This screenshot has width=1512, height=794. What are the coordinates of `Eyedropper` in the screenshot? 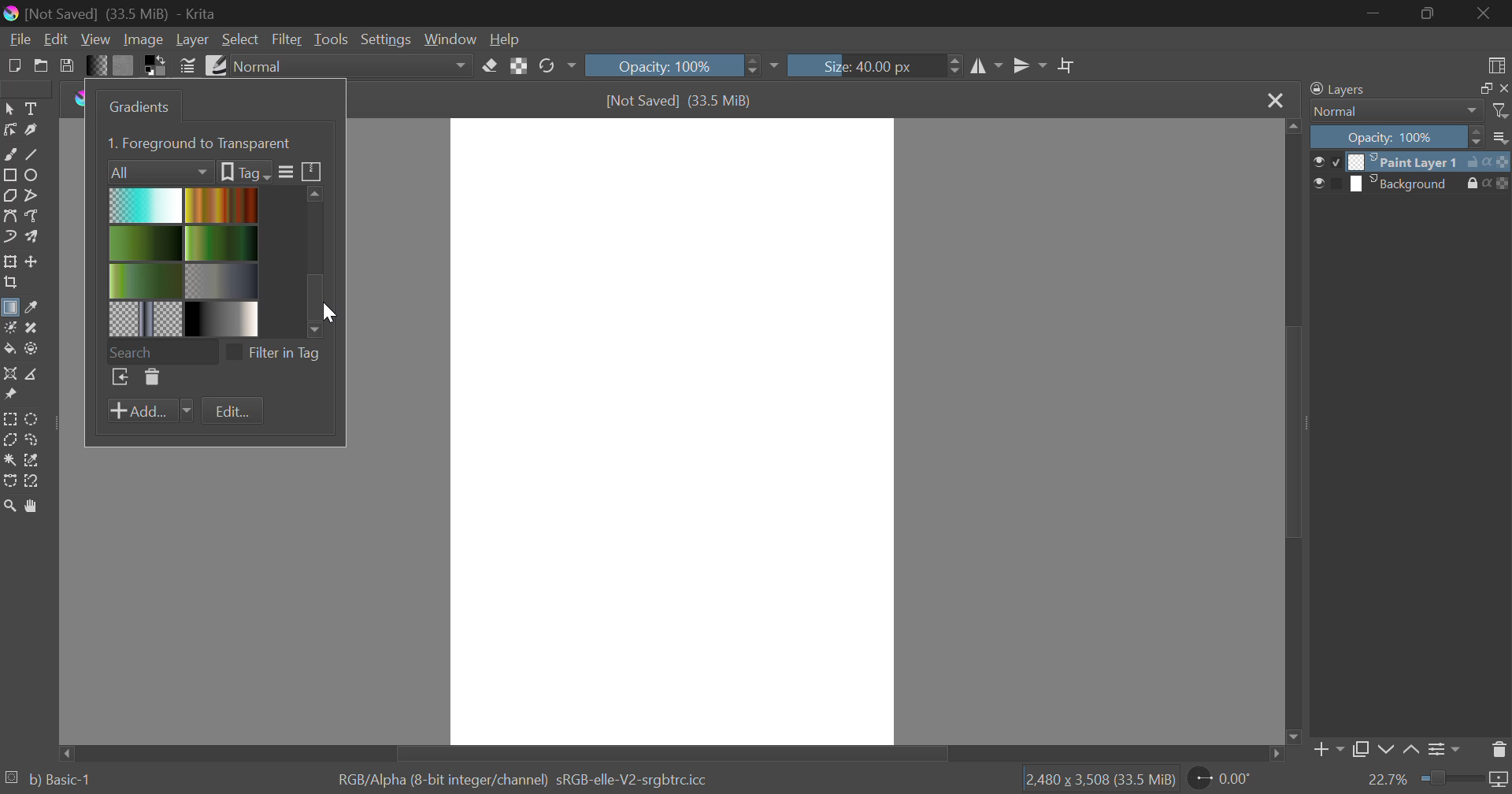 It's located at (30, 309).